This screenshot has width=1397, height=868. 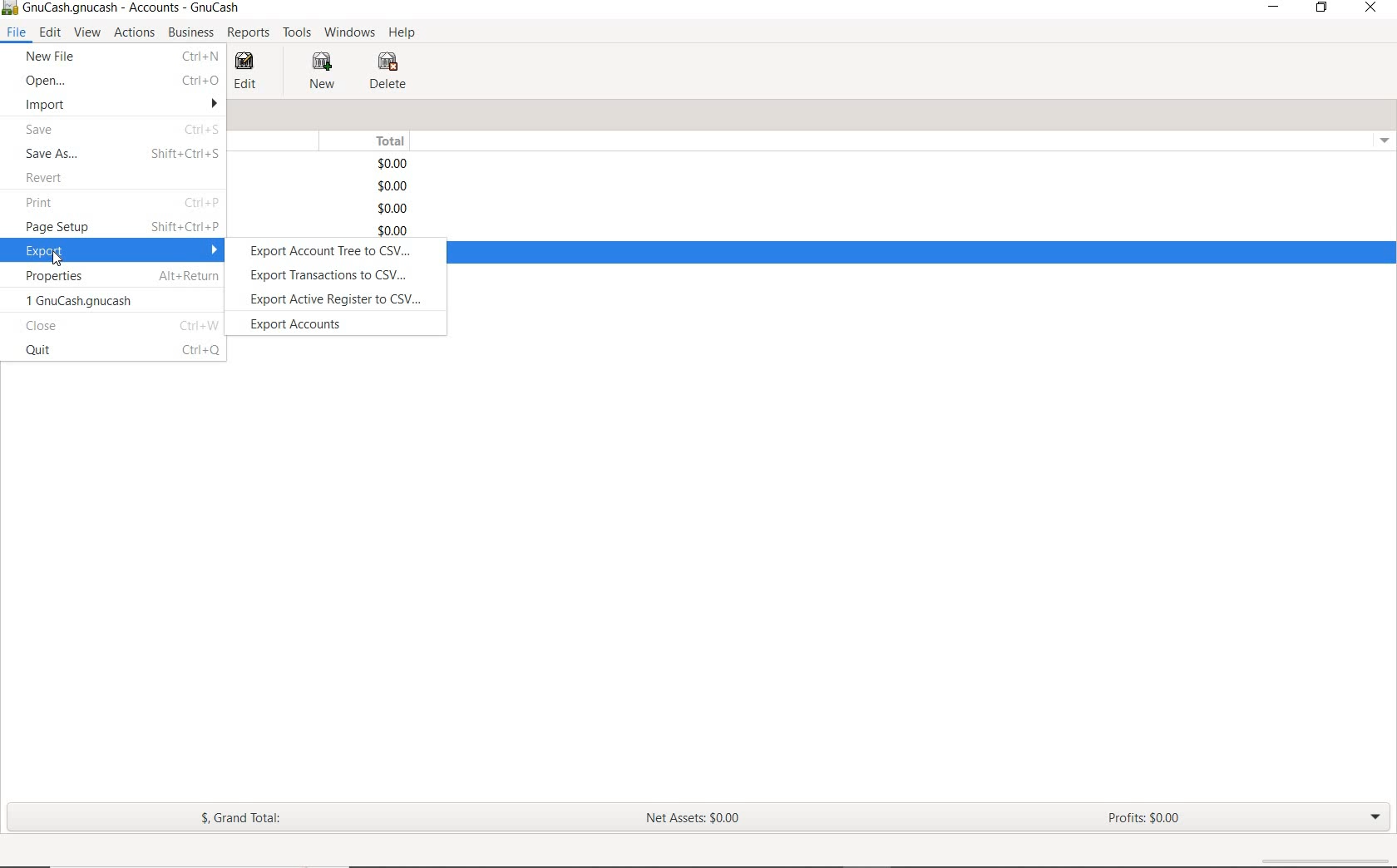 What do you see at coordinates (190, 33) in the screenshot?
I see `BUSINESS` at bounding box center [190, 33].